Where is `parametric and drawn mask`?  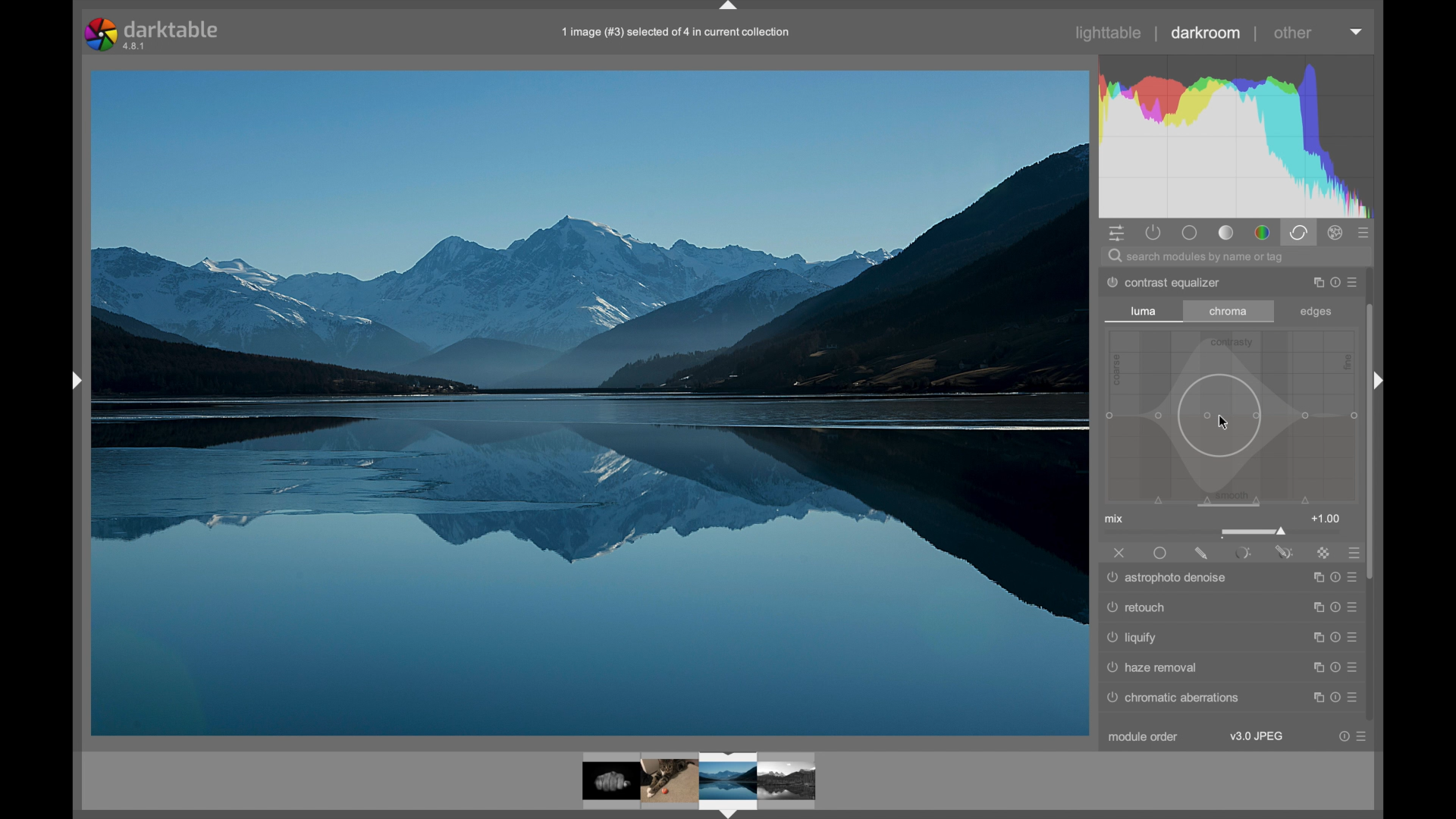
parametric and drawn mask is located at coordinates (1284, 552).